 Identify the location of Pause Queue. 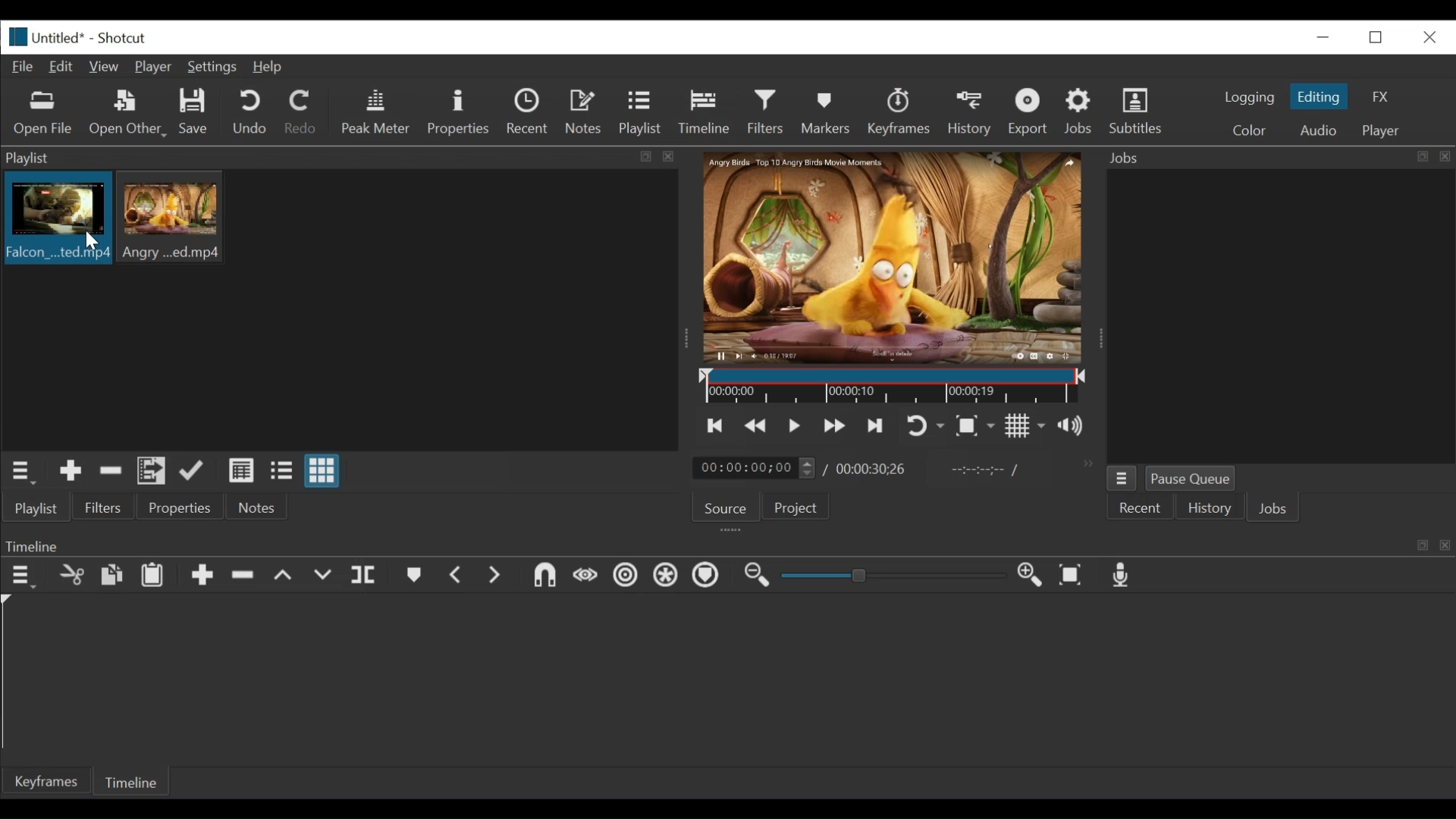
(1191, 482).